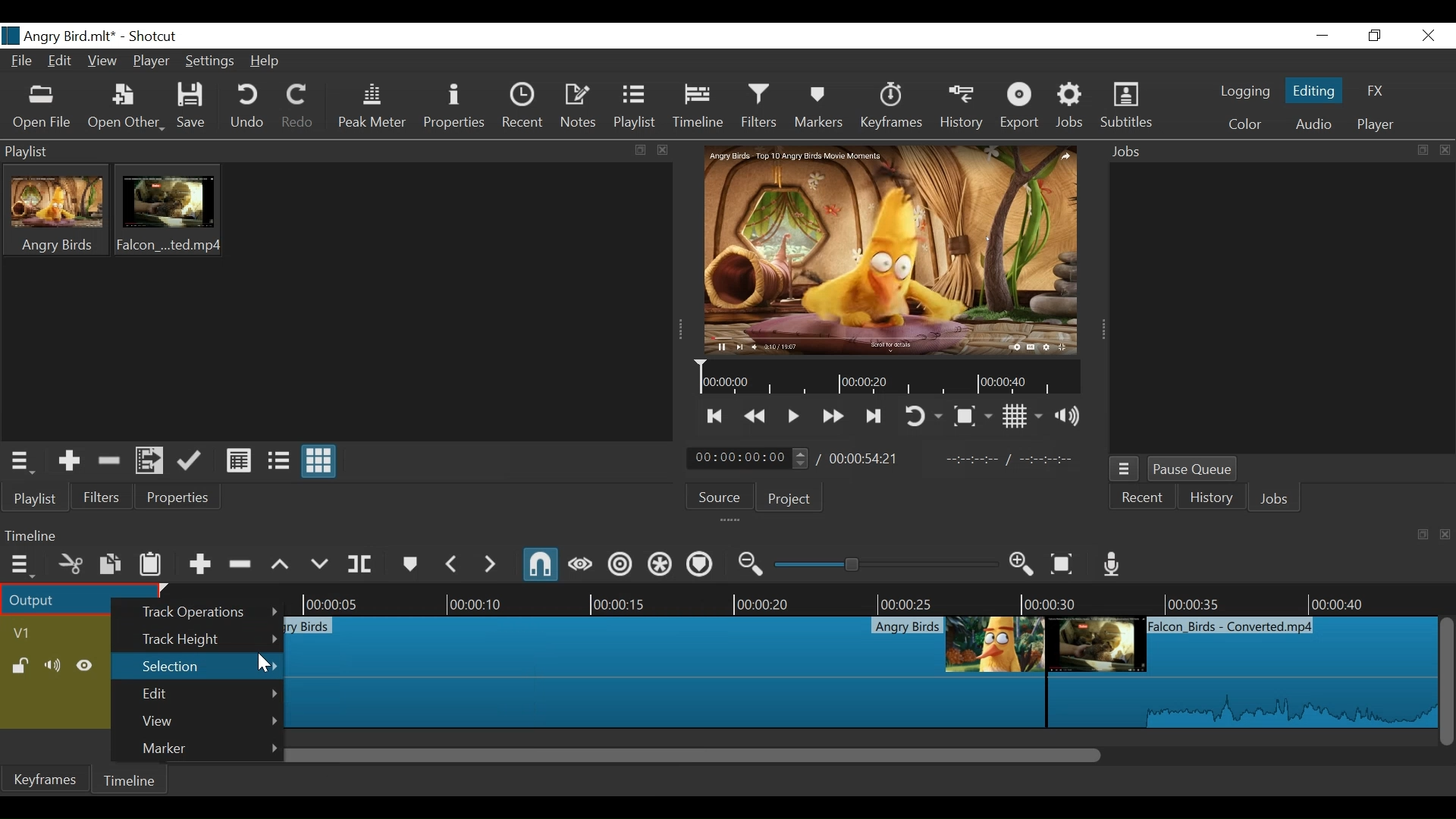 The width and height of the screenshot is (1456, 819). Describe the element at coordinates (698, 106) in the screenshot. I see `Timeline` at that location.